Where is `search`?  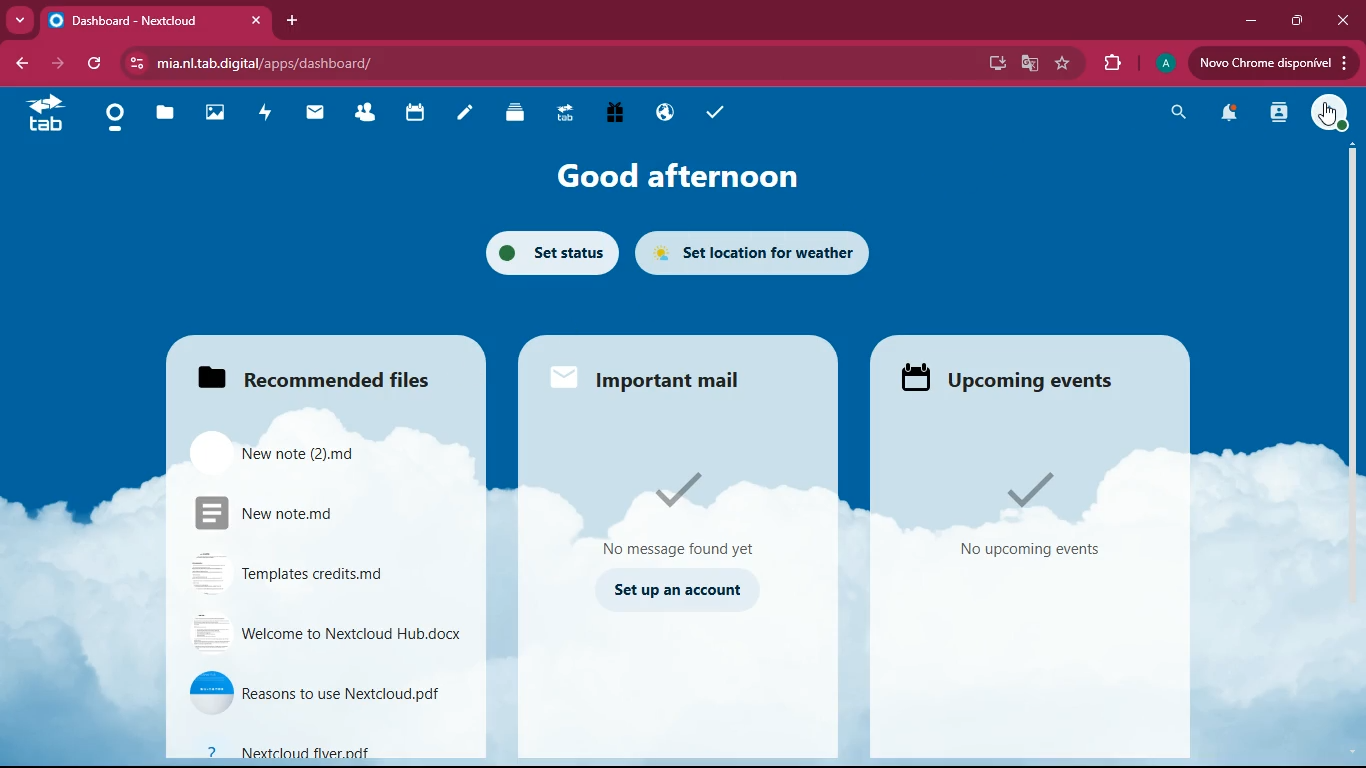 search is located at coordinates (1176, 115).